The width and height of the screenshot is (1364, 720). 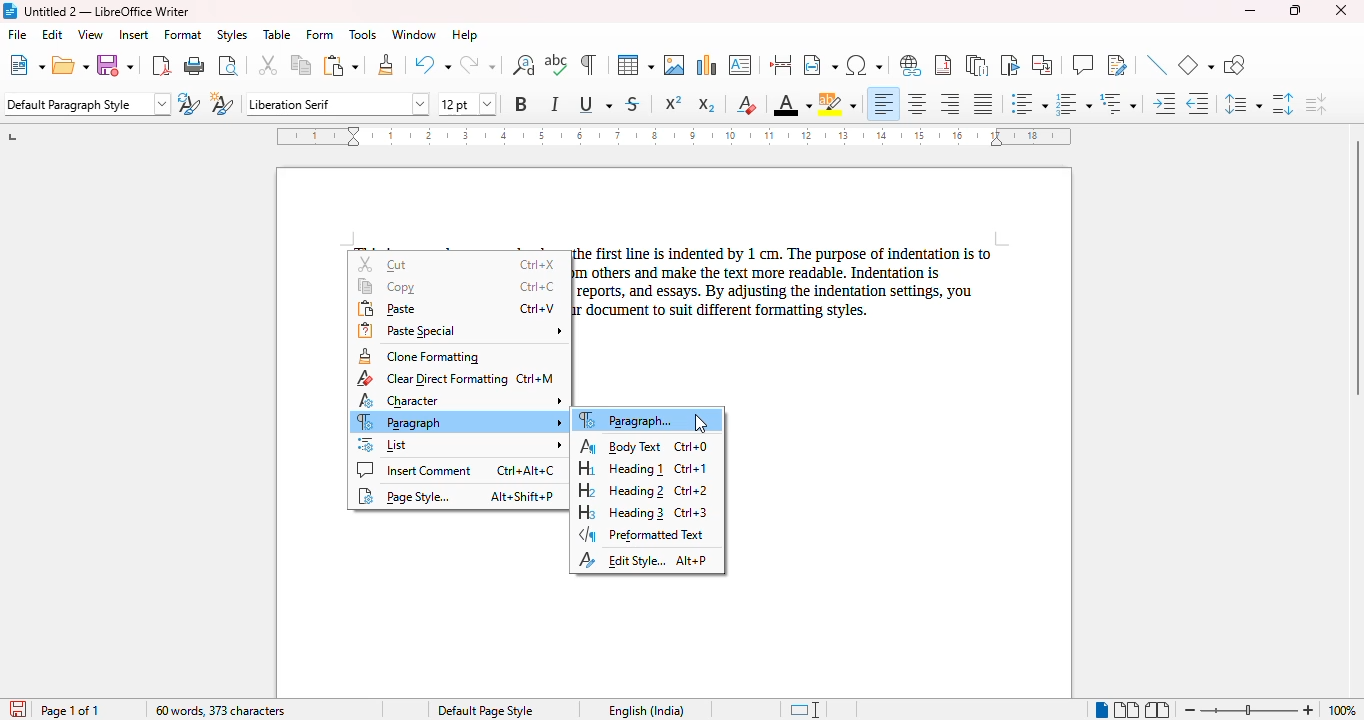 What do you see at coordinates (648, 710) in the screenshot?
I see `text language` at bounding box center [648, 710].